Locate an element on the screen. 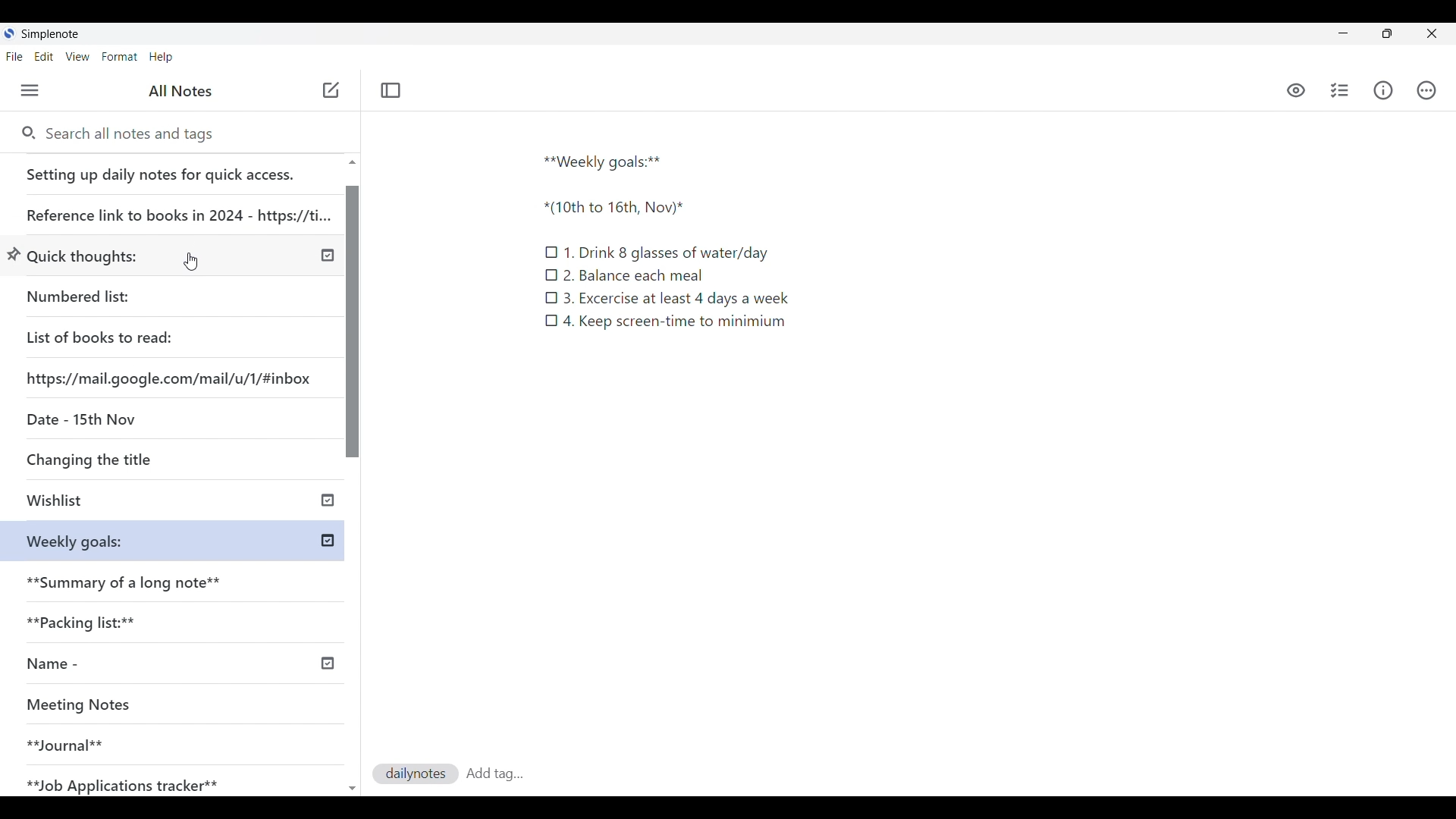 The height and width of the screenshot is (819, 1456). List of books is located at coordinates (101, 335).